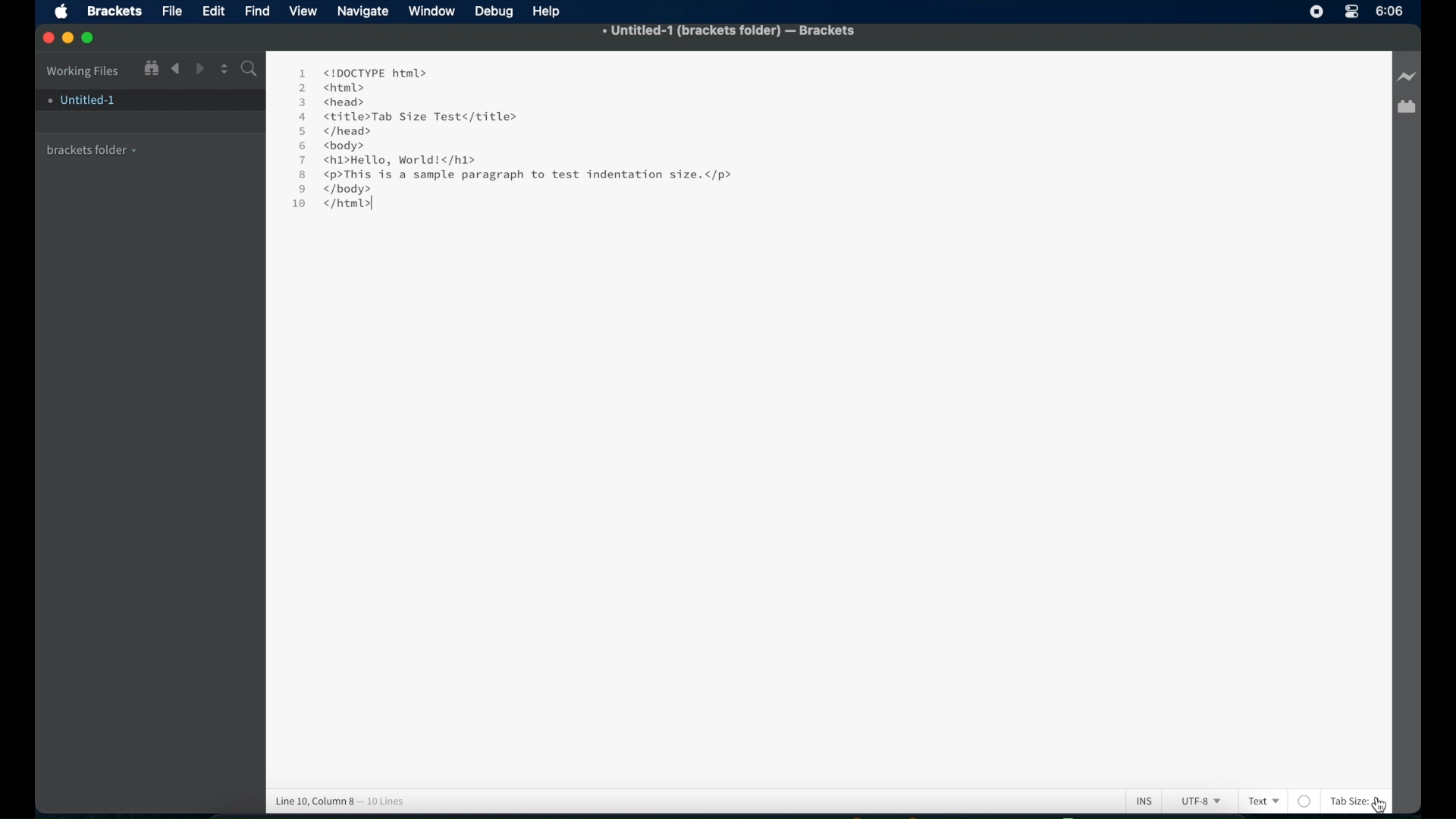  I want to click on 6 <body>, so click(337, 146).